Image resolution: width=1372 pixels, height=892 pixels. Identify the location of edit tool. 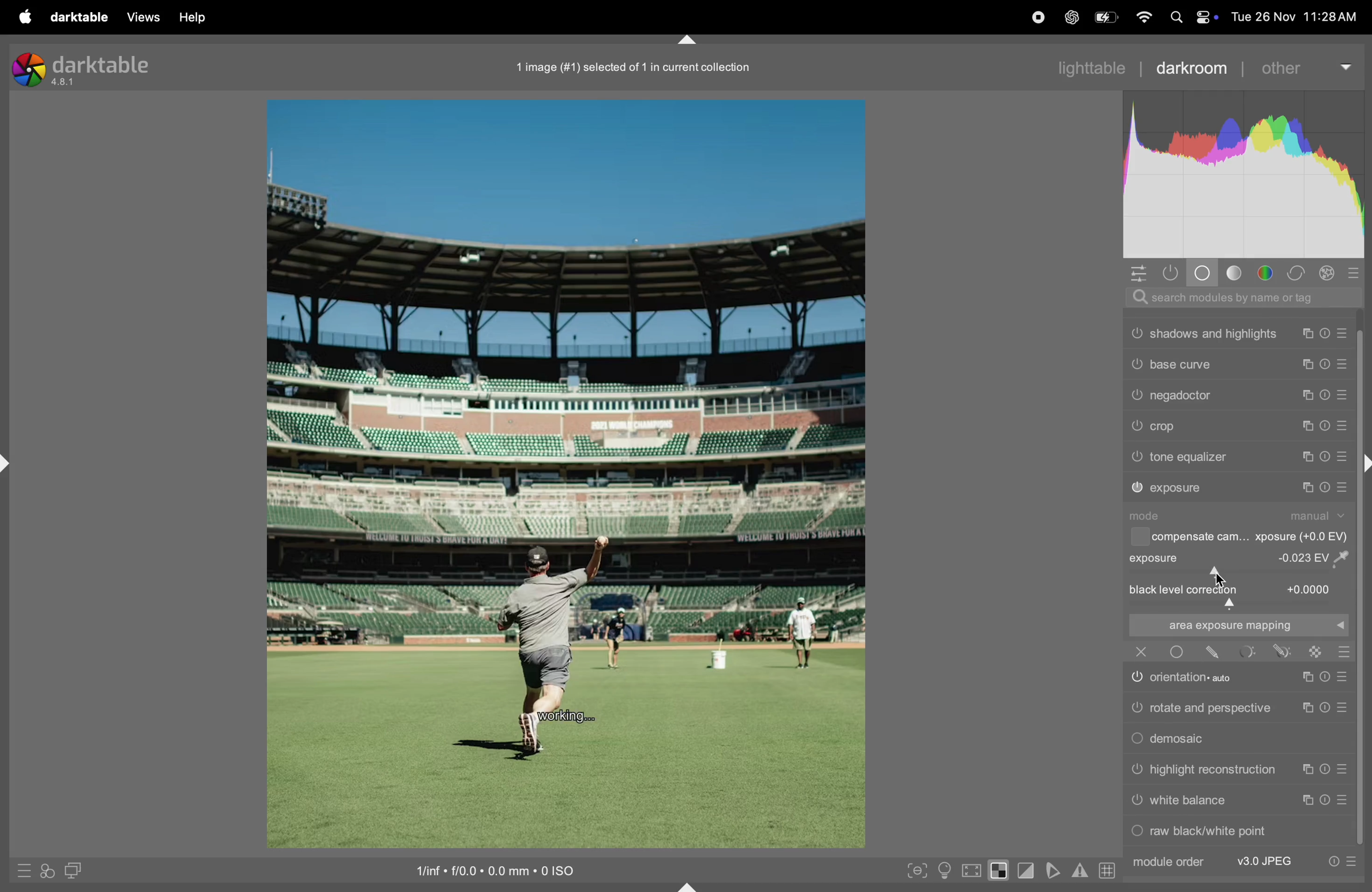
(1282, 651).